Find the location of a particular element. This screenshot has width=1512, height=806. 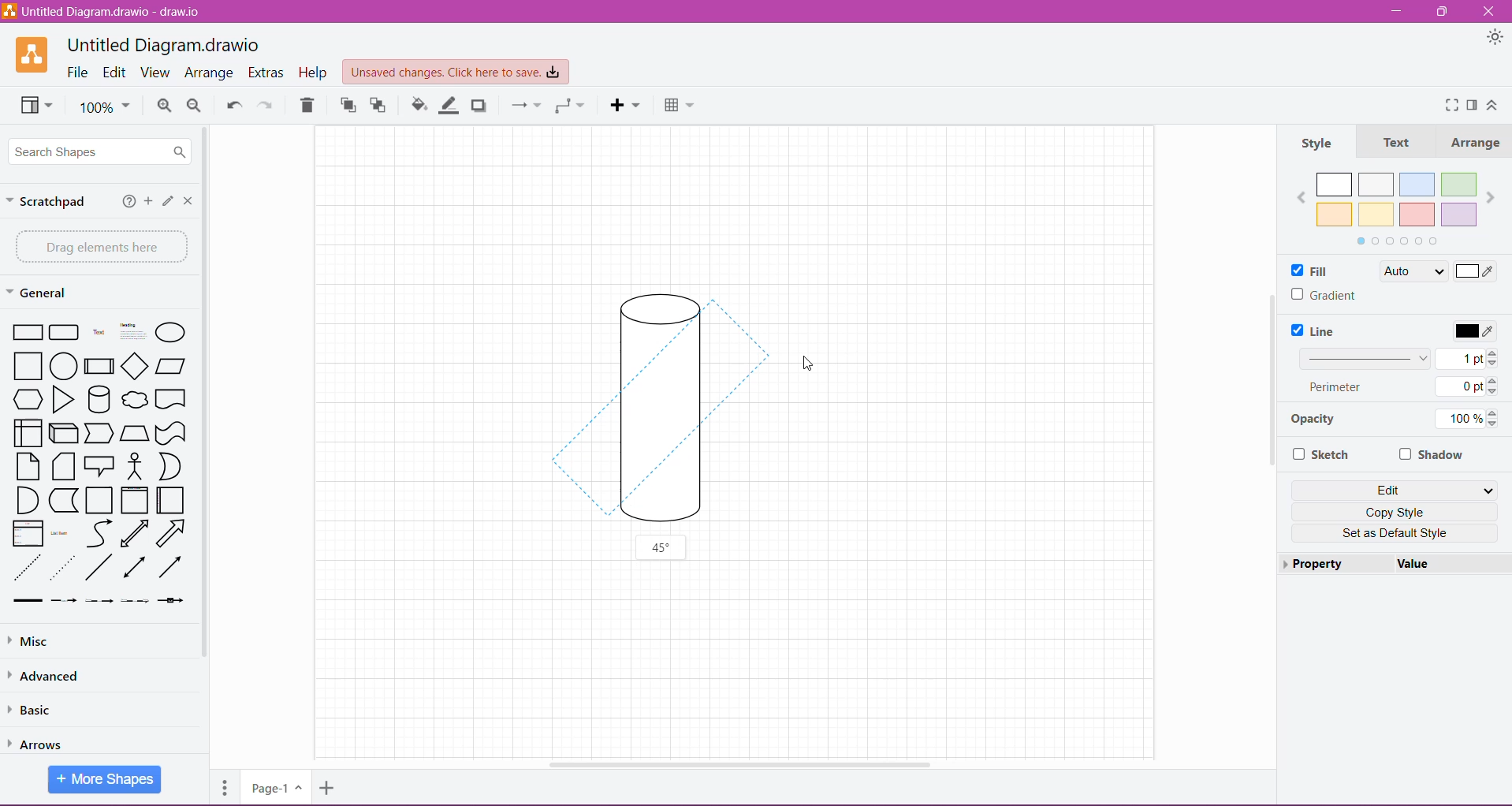

File is located at coordinates (78, 73).